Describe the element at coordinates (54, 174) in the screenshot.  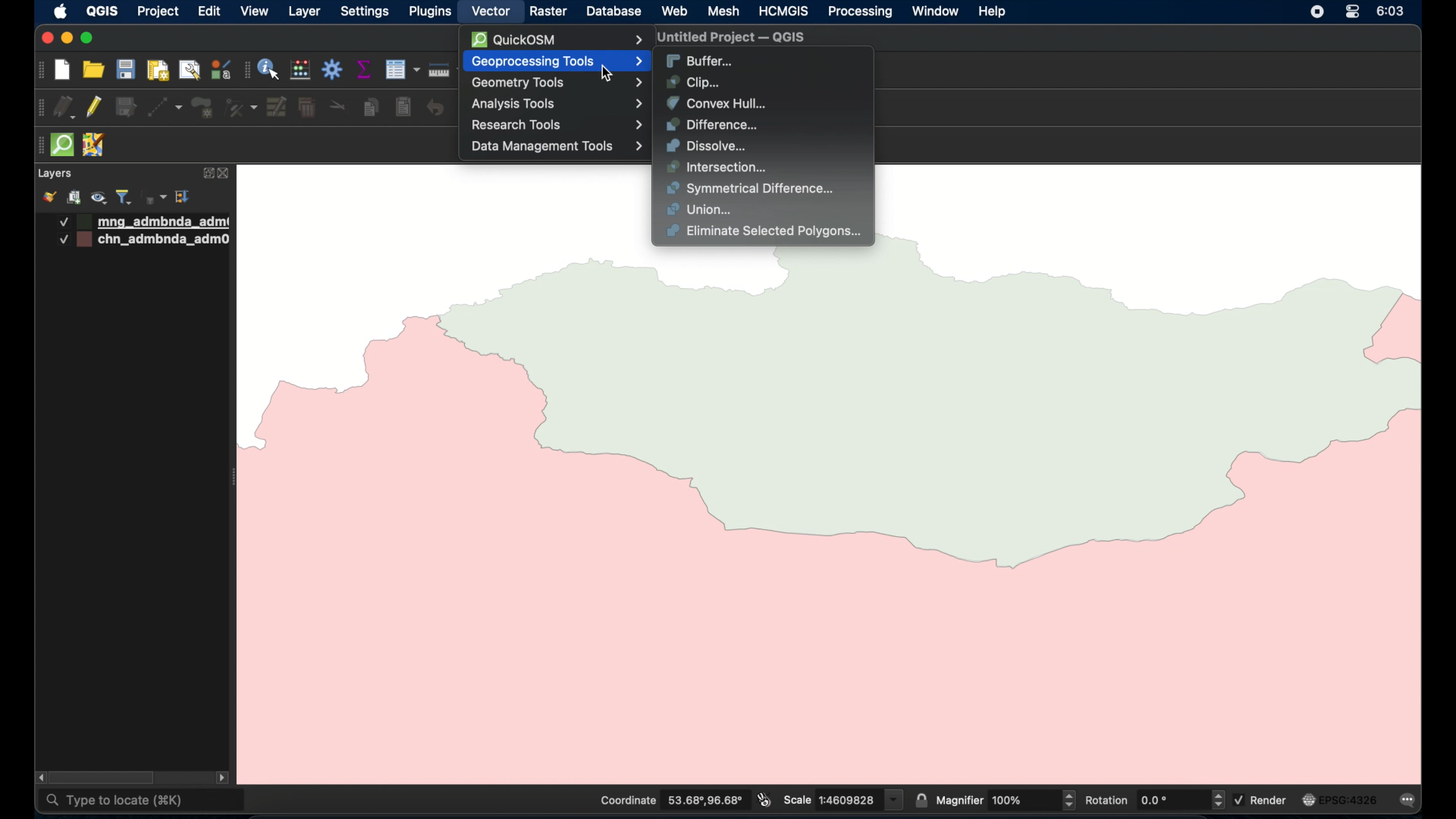
I see `layers ` at that location.